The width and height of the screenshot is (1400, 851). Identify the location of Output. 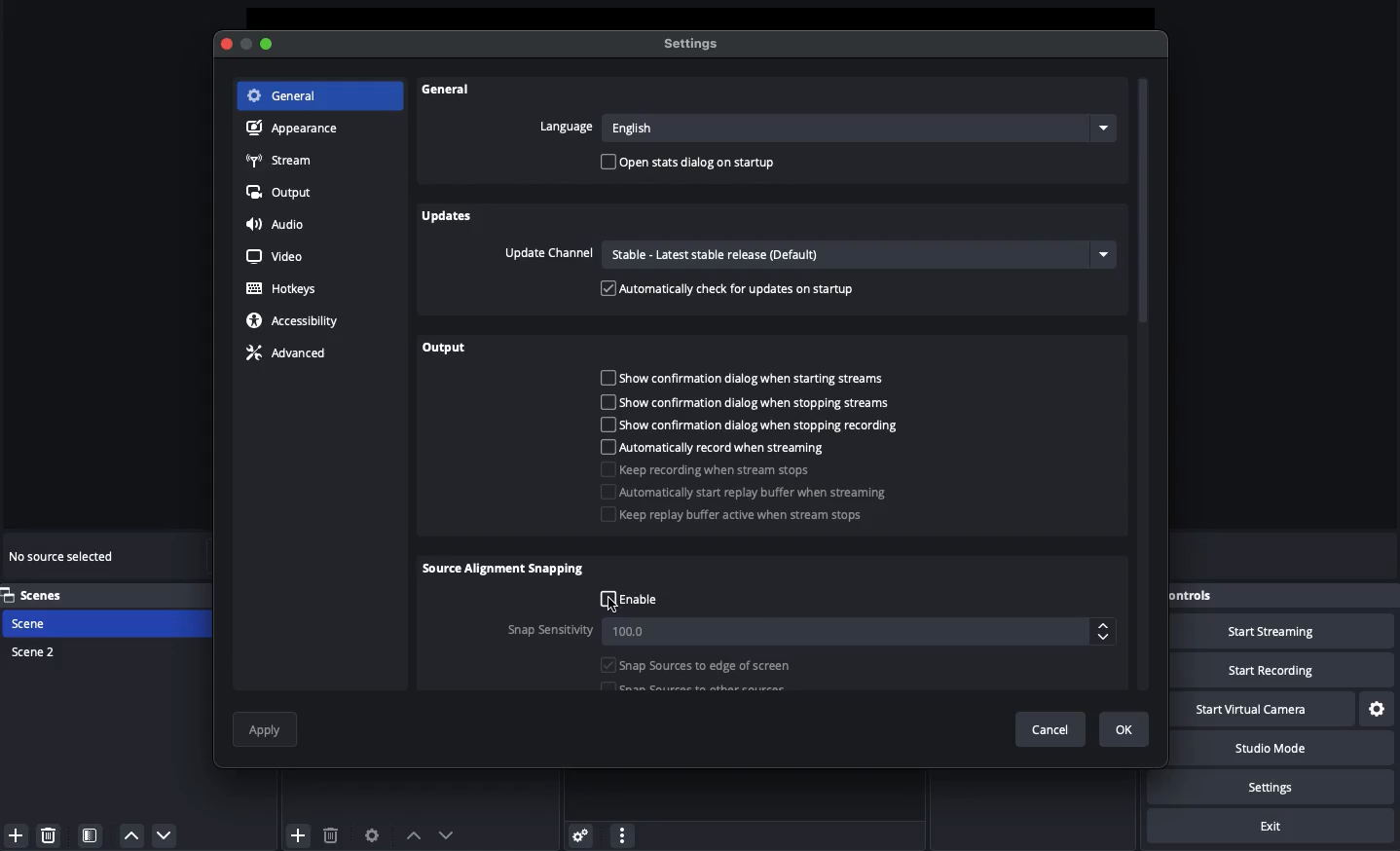
(446, 349).